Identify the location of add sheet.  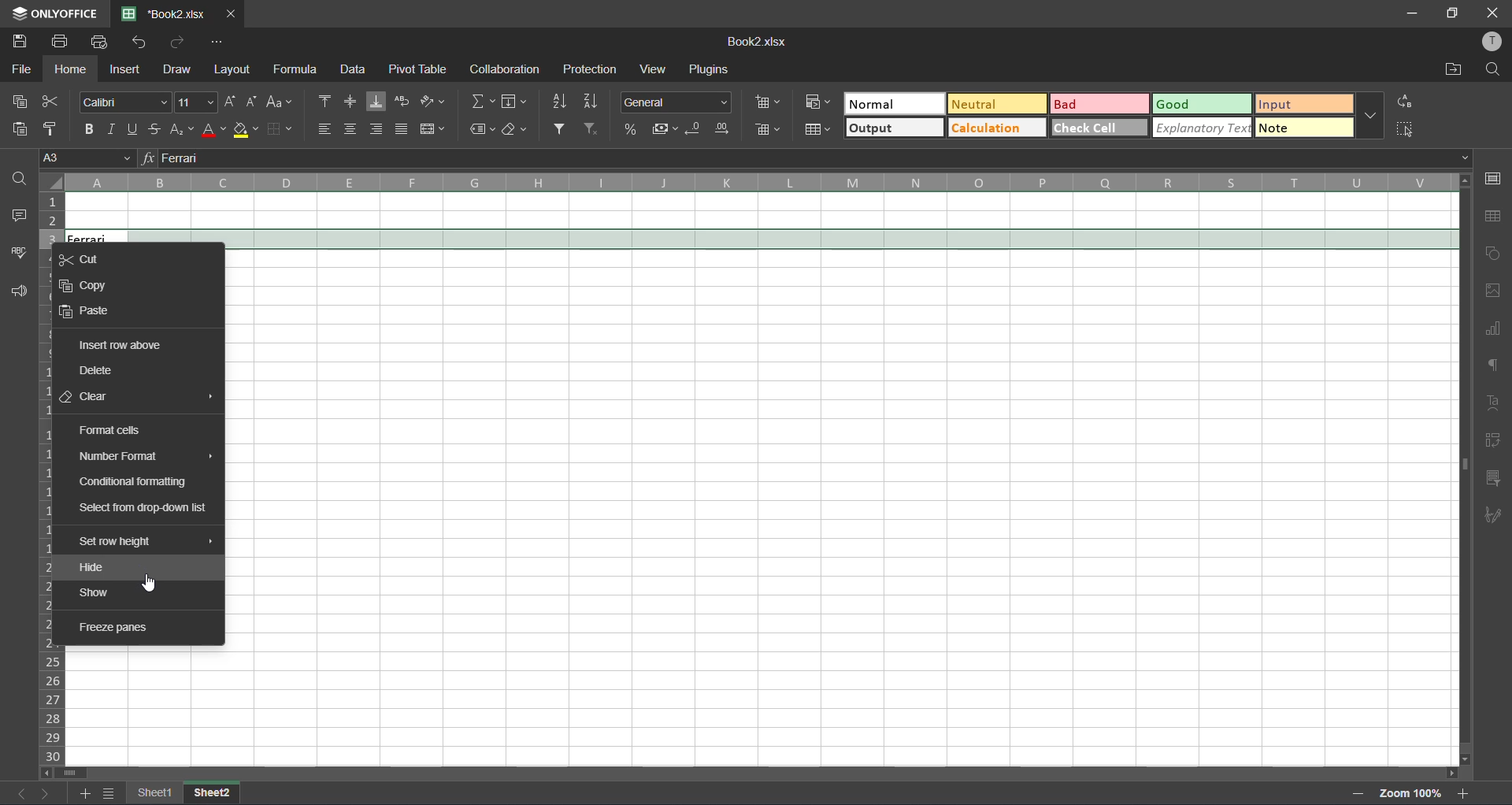
(85, 793).